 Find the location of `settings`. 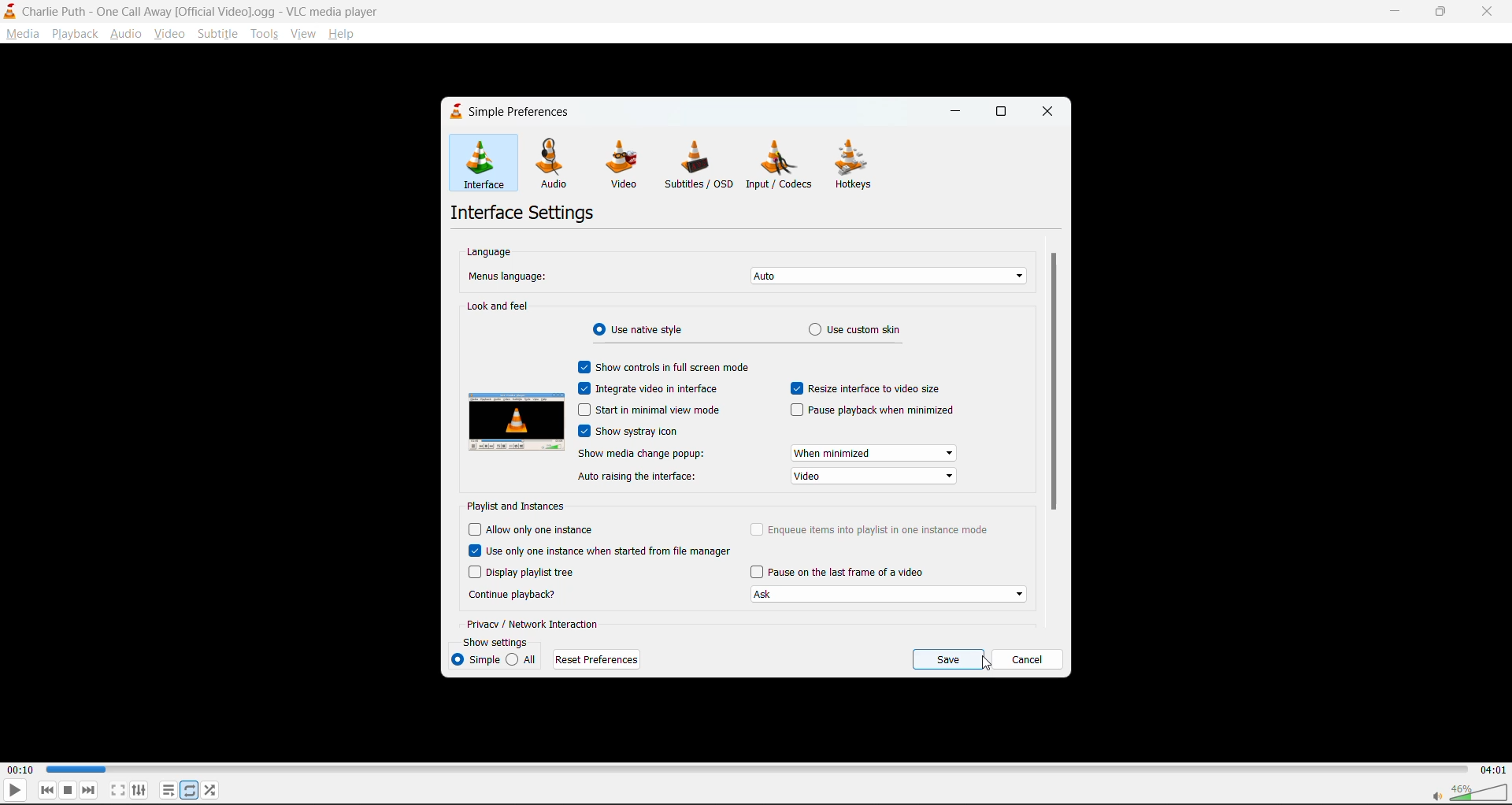

settings is located at coordinates (141, 788).